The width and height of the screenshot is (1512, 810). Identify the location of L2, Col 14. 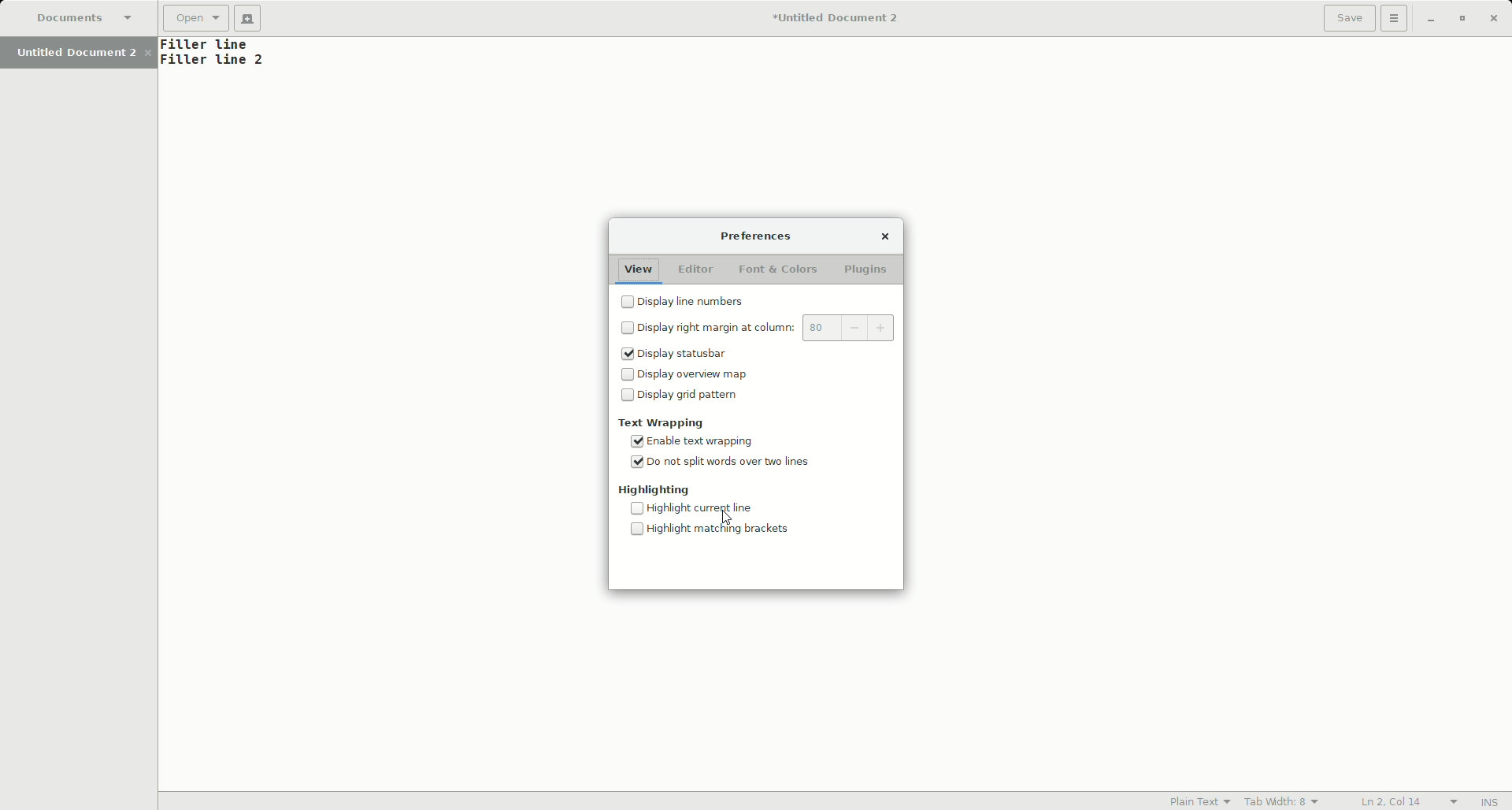
(1392, 801).